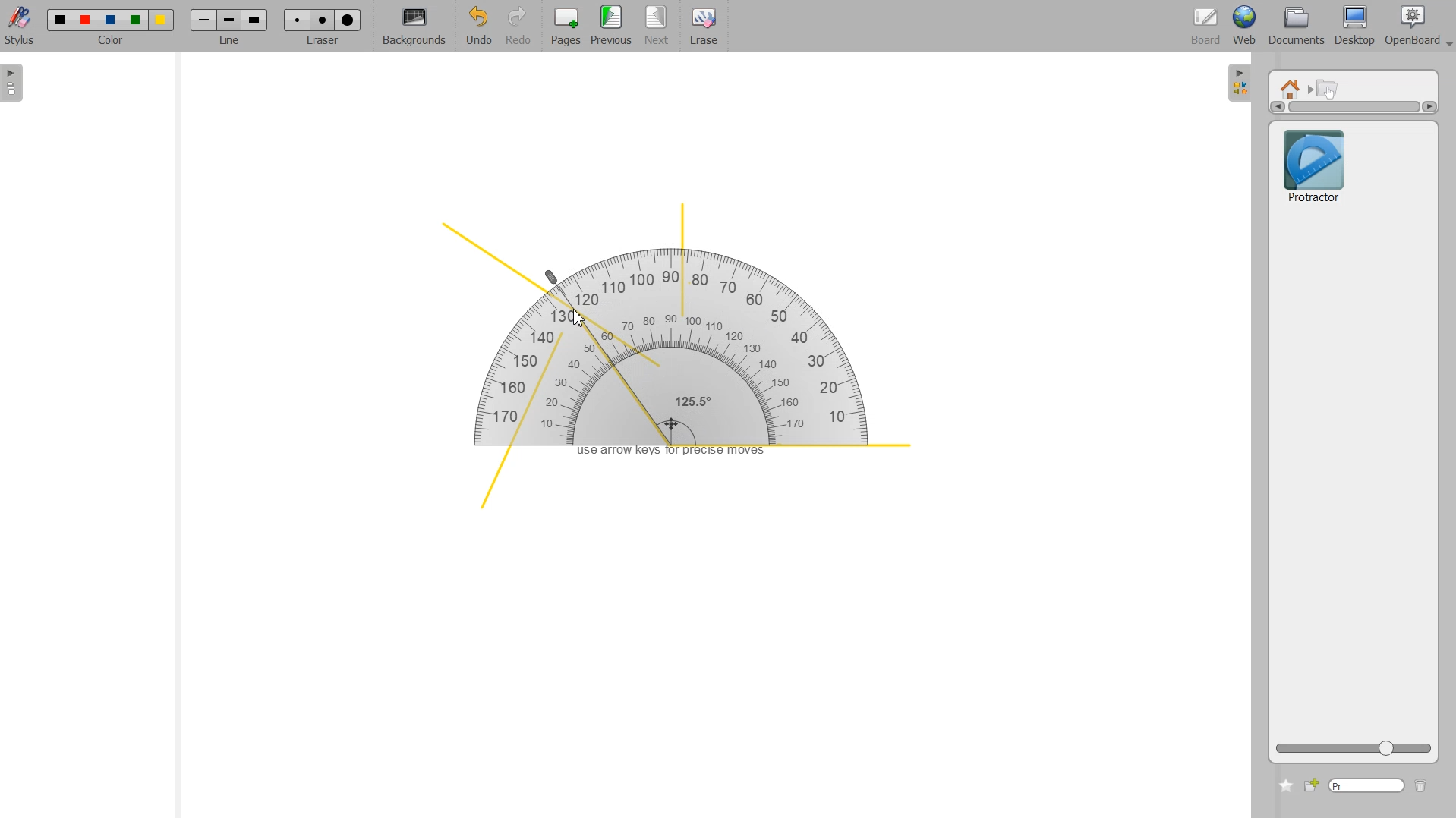 This screenshot has width=1456, height=818. What do you see at coordinates (658, 27) in the screenshot?
I see `Next` at bounding box center [658, 27].